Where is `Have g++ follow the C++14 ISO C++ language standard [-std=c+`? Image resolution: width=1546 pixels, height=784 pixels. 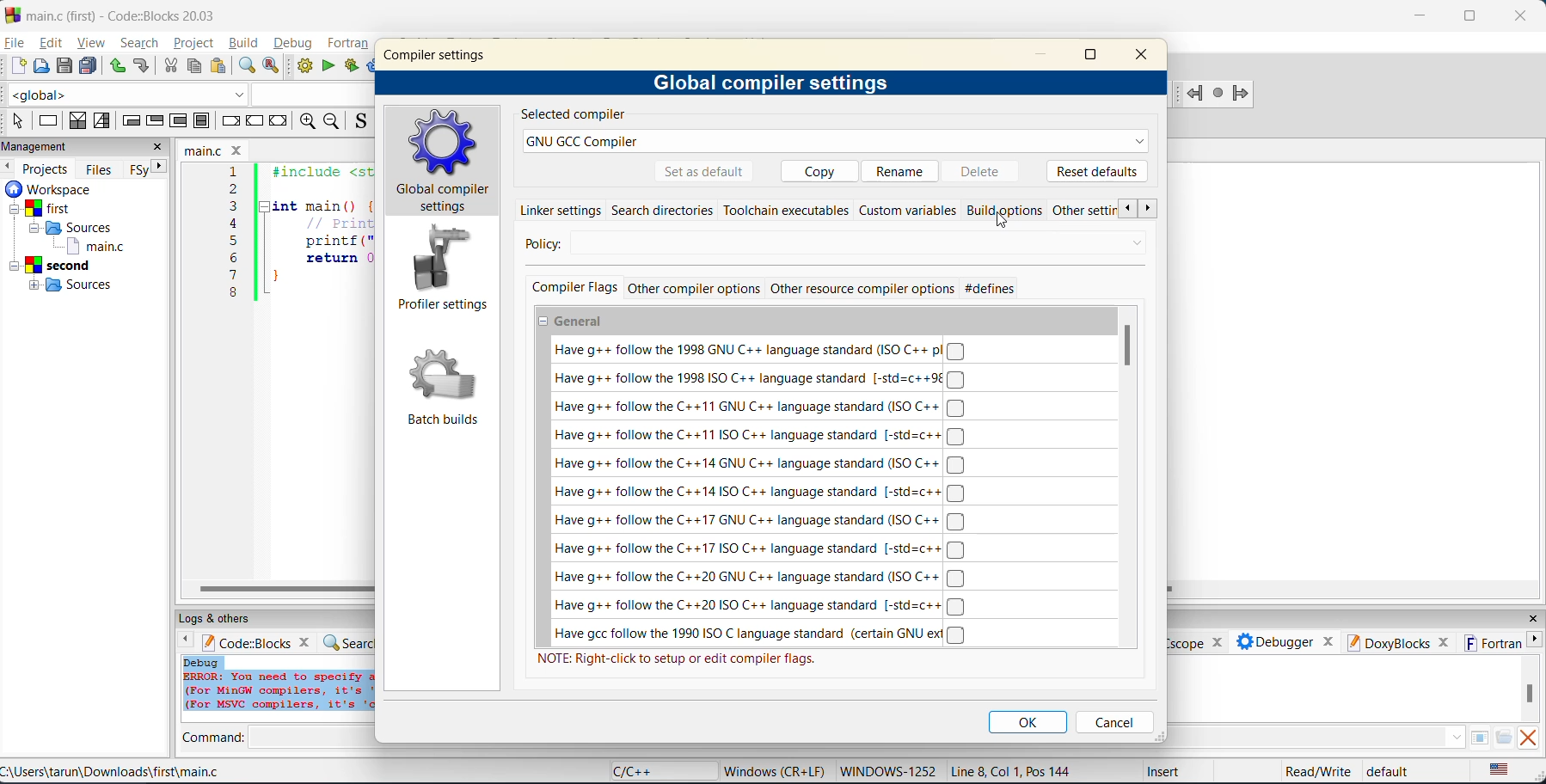 Have g++ follow the C++14 ISO C++ language standard [-std=c+ is located at coordinates (759, 491).